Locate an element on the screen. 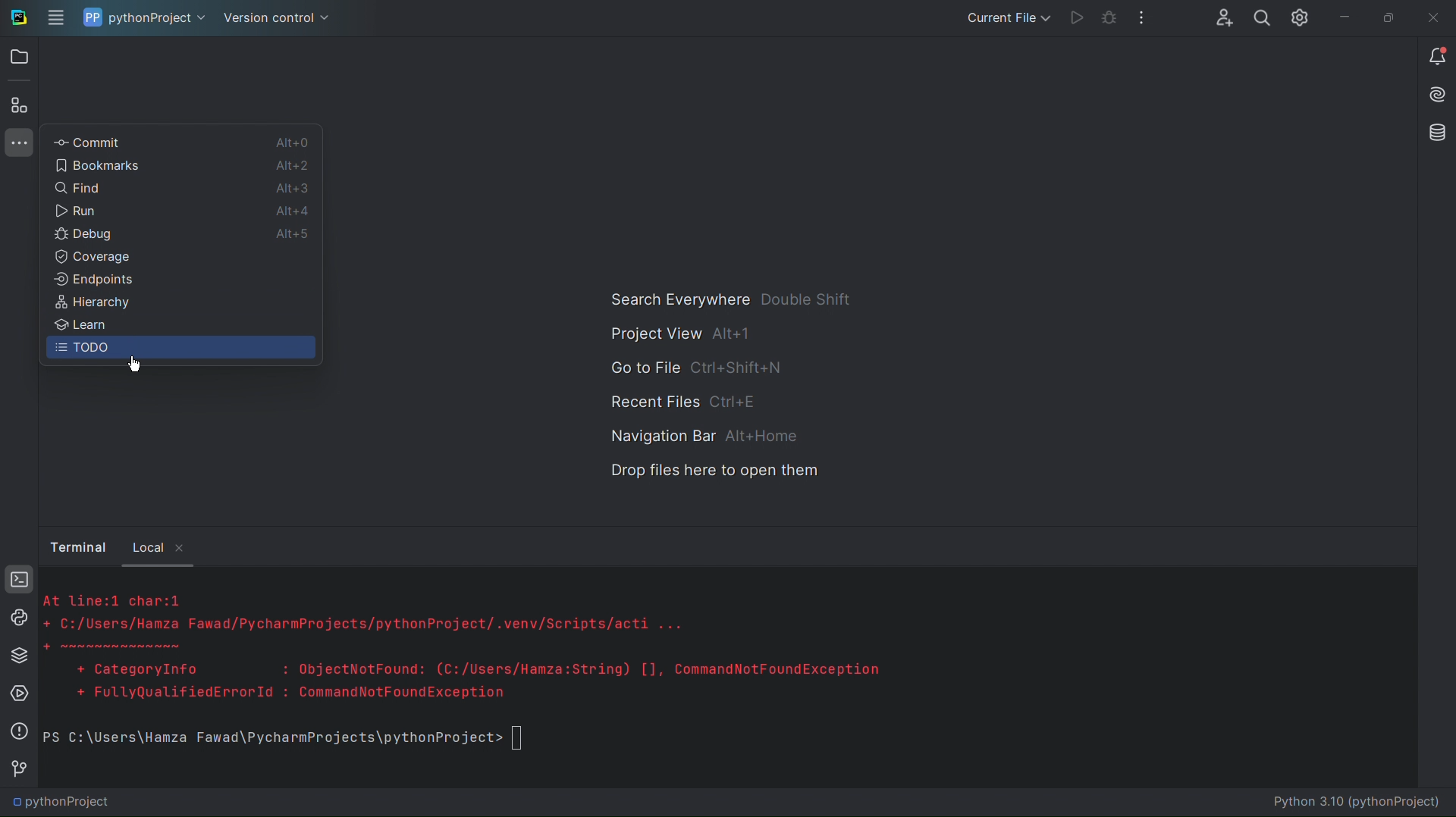 Image resolution: width=1456 pixels, height=817 pixels. Version Control is located at coordinates (279, 19).